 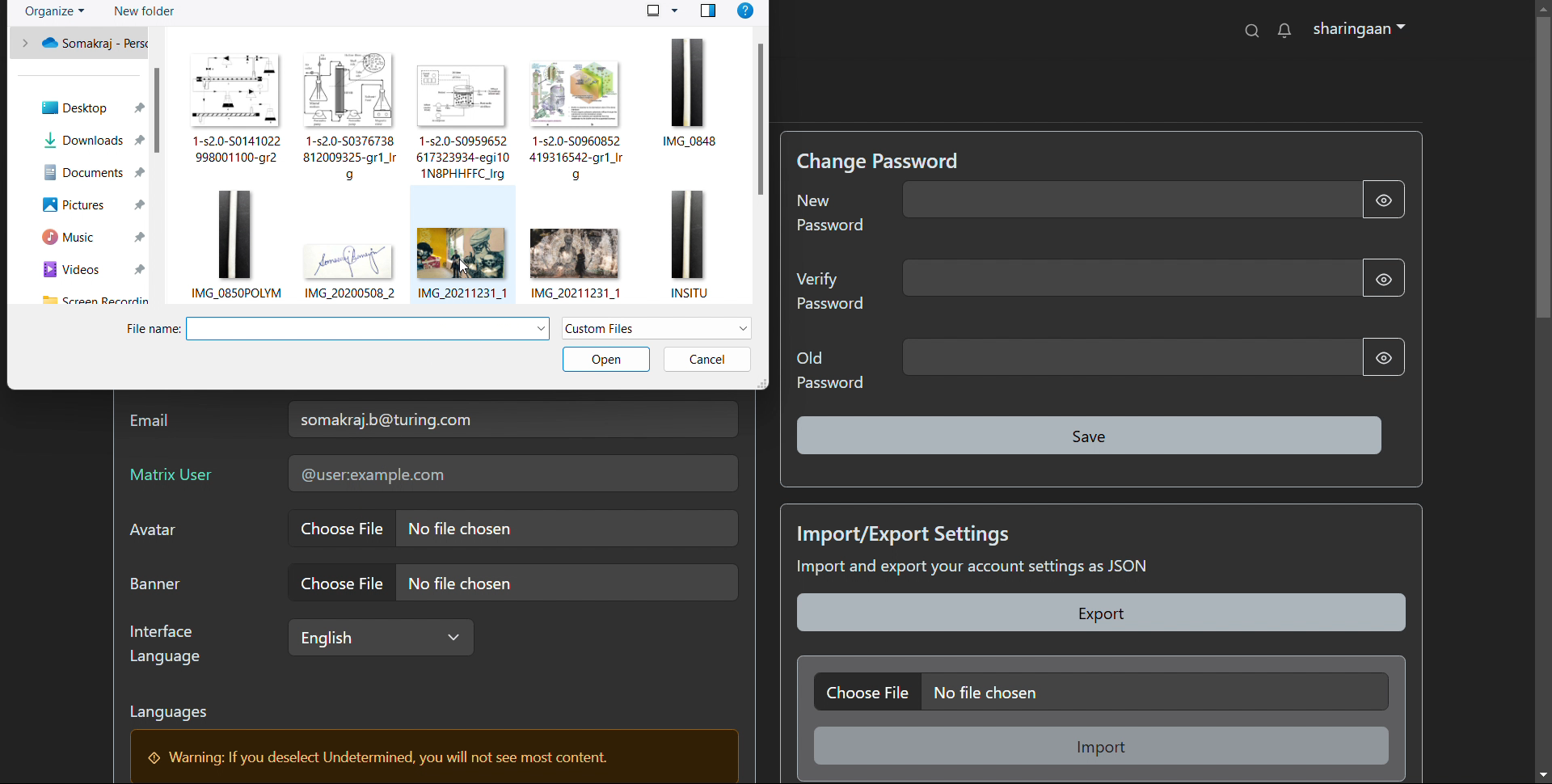 What do you see at coordinates (662, 10) in the screenshot?
I see `select view` at bounding box center [662, 10].